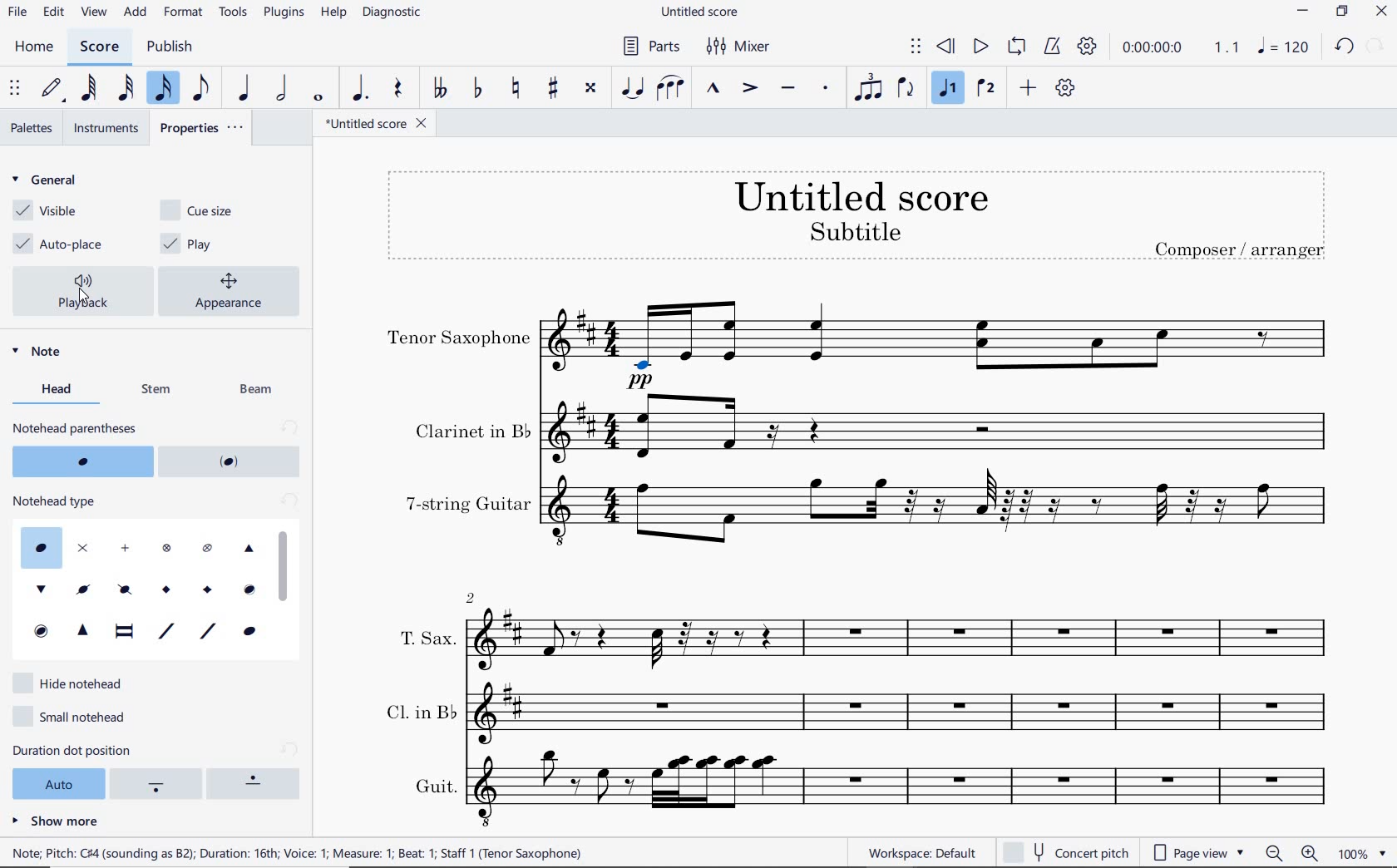  I want to click on text, so click(433, 786).